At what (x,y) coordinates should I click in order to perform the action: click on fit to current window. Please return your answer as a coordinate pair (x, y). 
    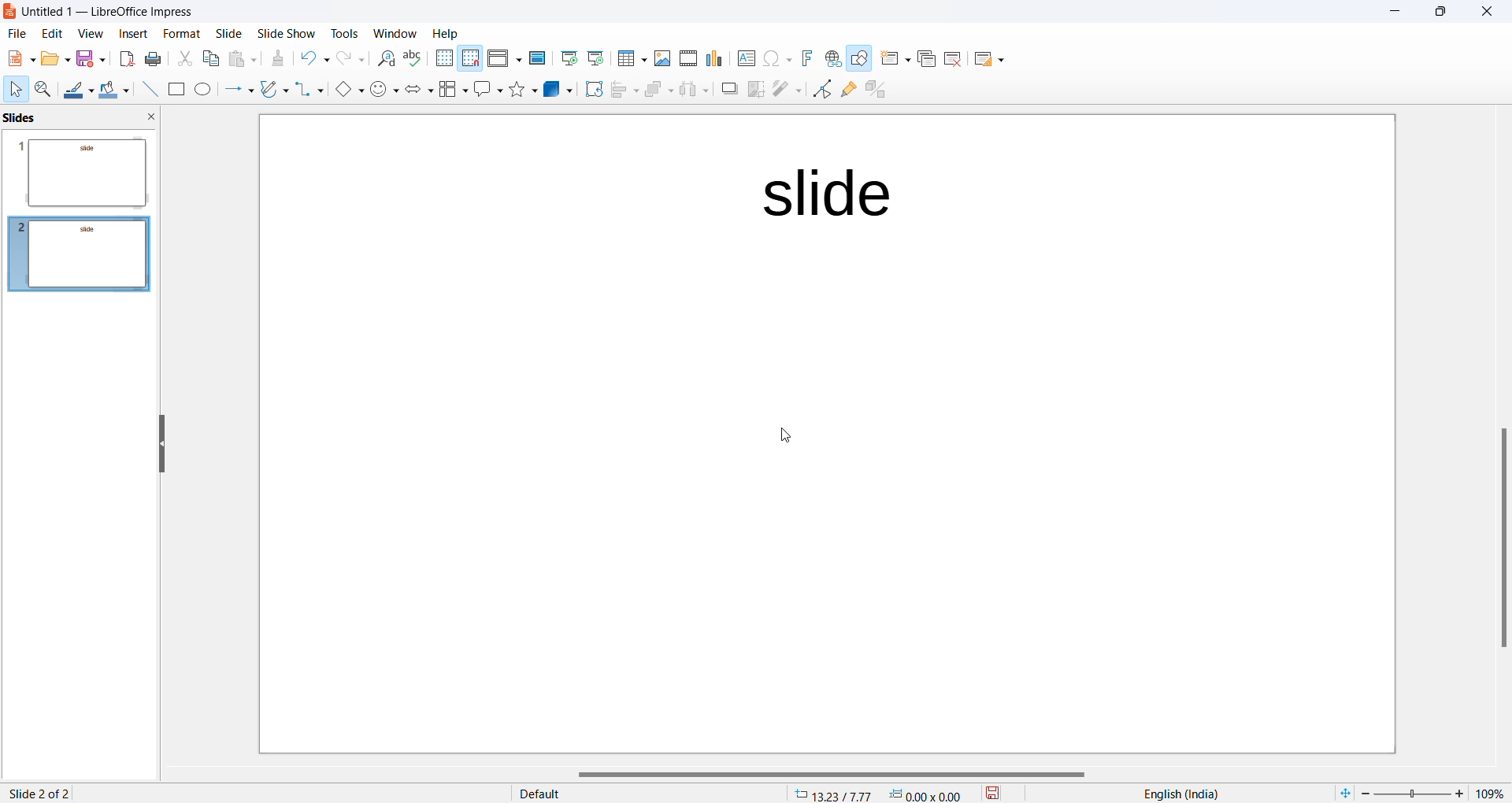
    Looking at the image, I should click on (1341, 793).